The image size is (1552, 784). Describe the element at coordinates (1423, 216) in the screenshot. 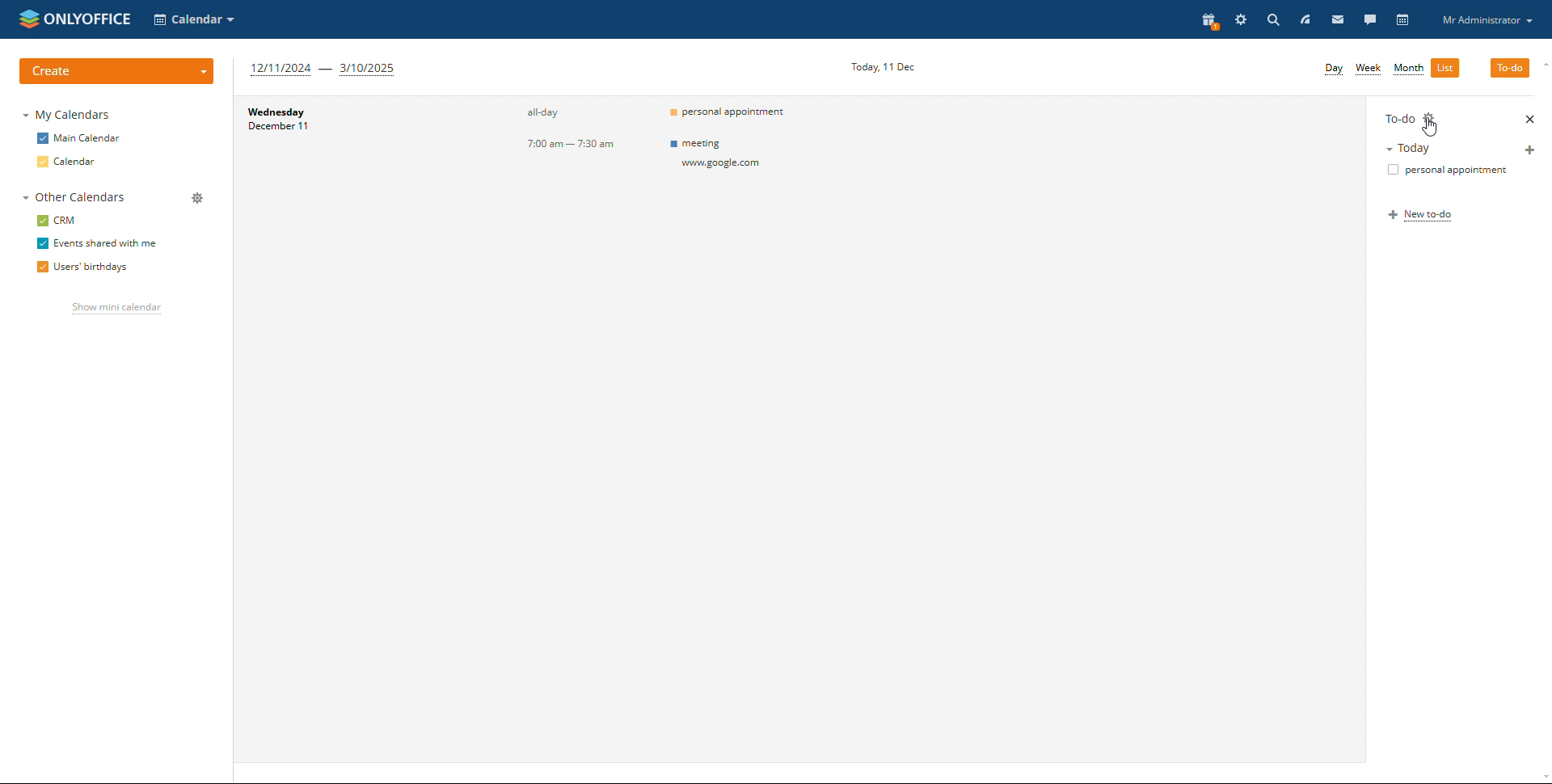

I see `new to-do` at that location.